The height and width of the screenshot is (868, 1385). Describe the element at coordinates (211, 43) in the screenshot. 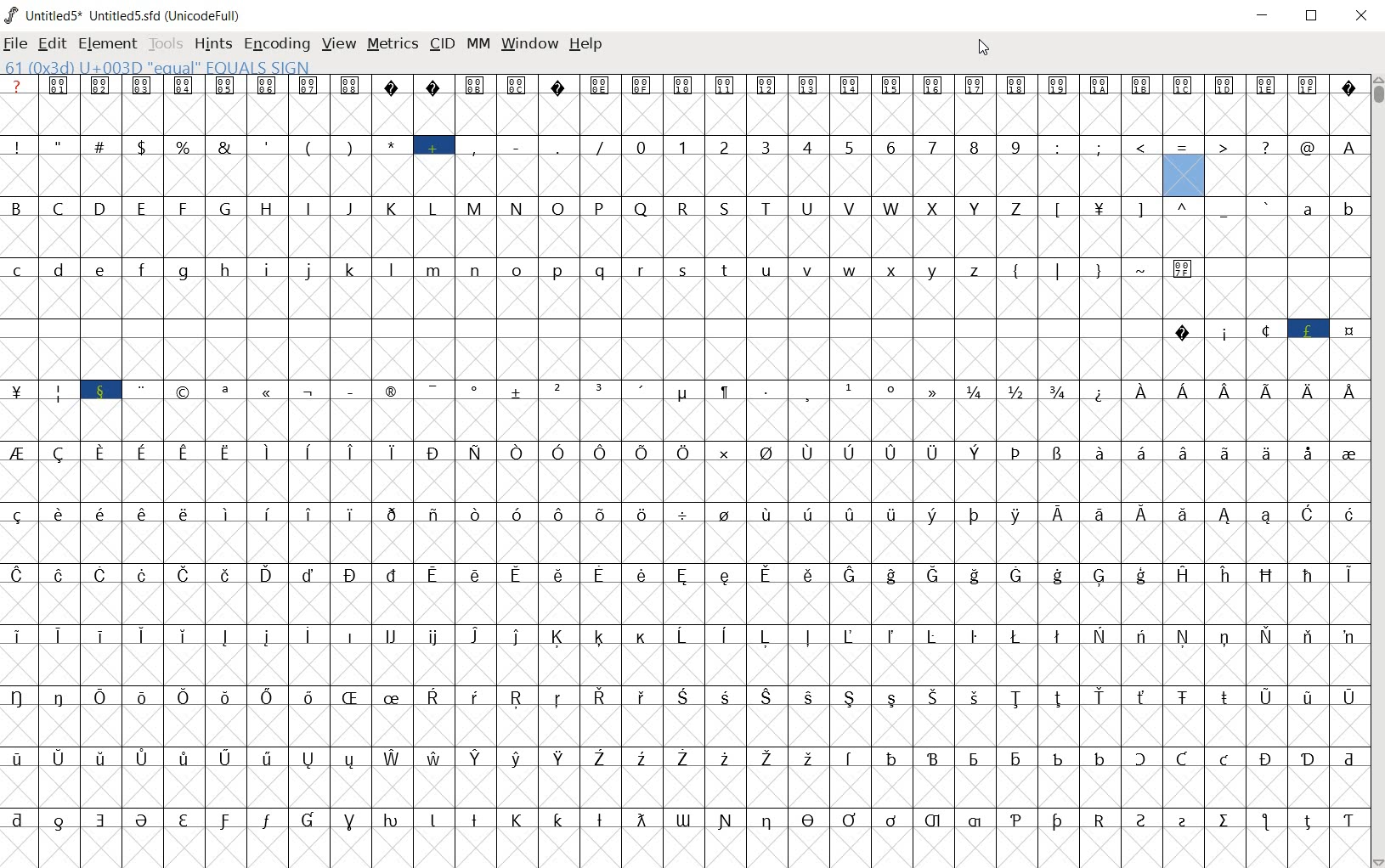

I see `hints` at that location.